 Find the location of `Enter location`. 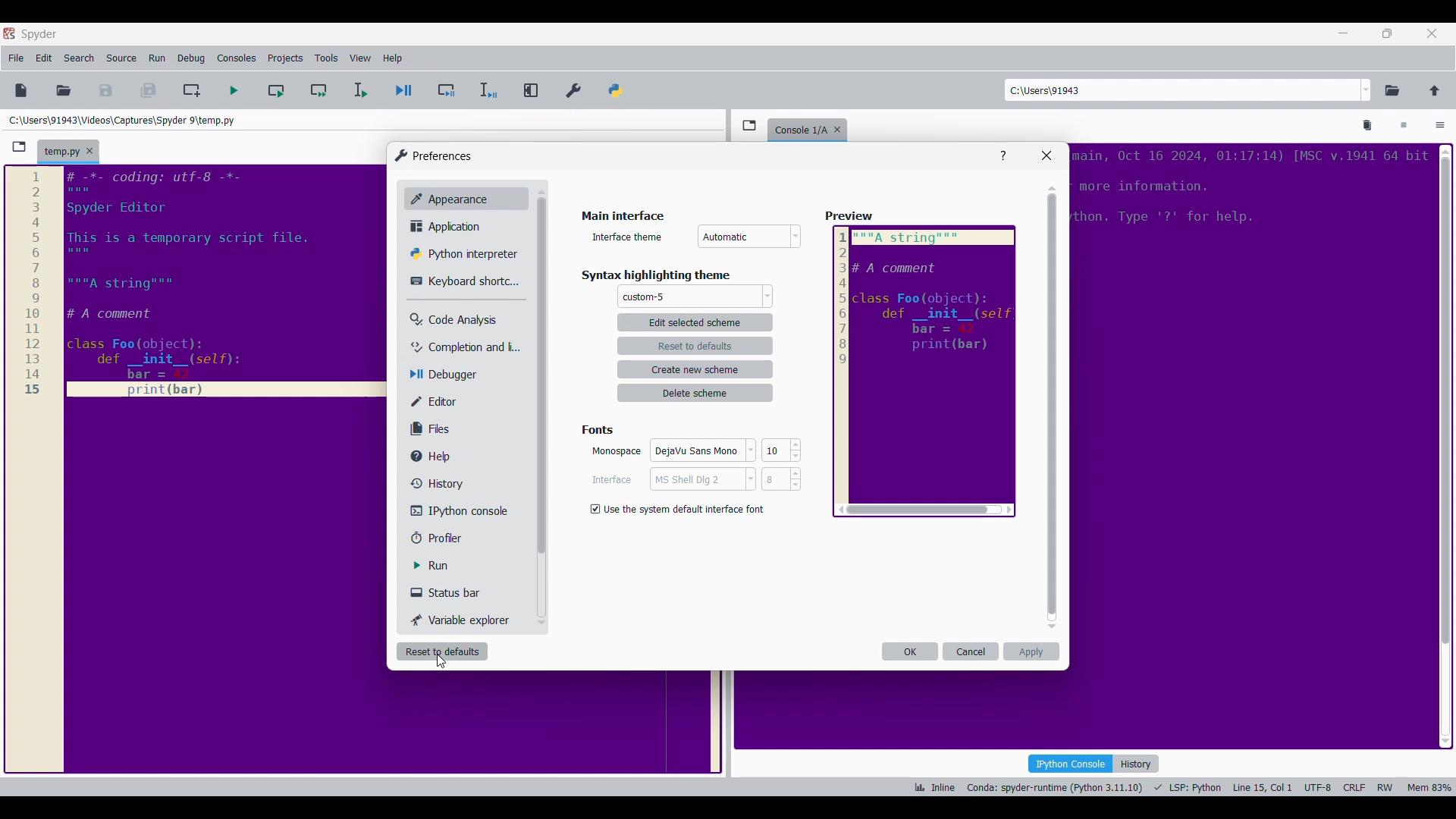

Enter location is located at coordinates (1182, 90).